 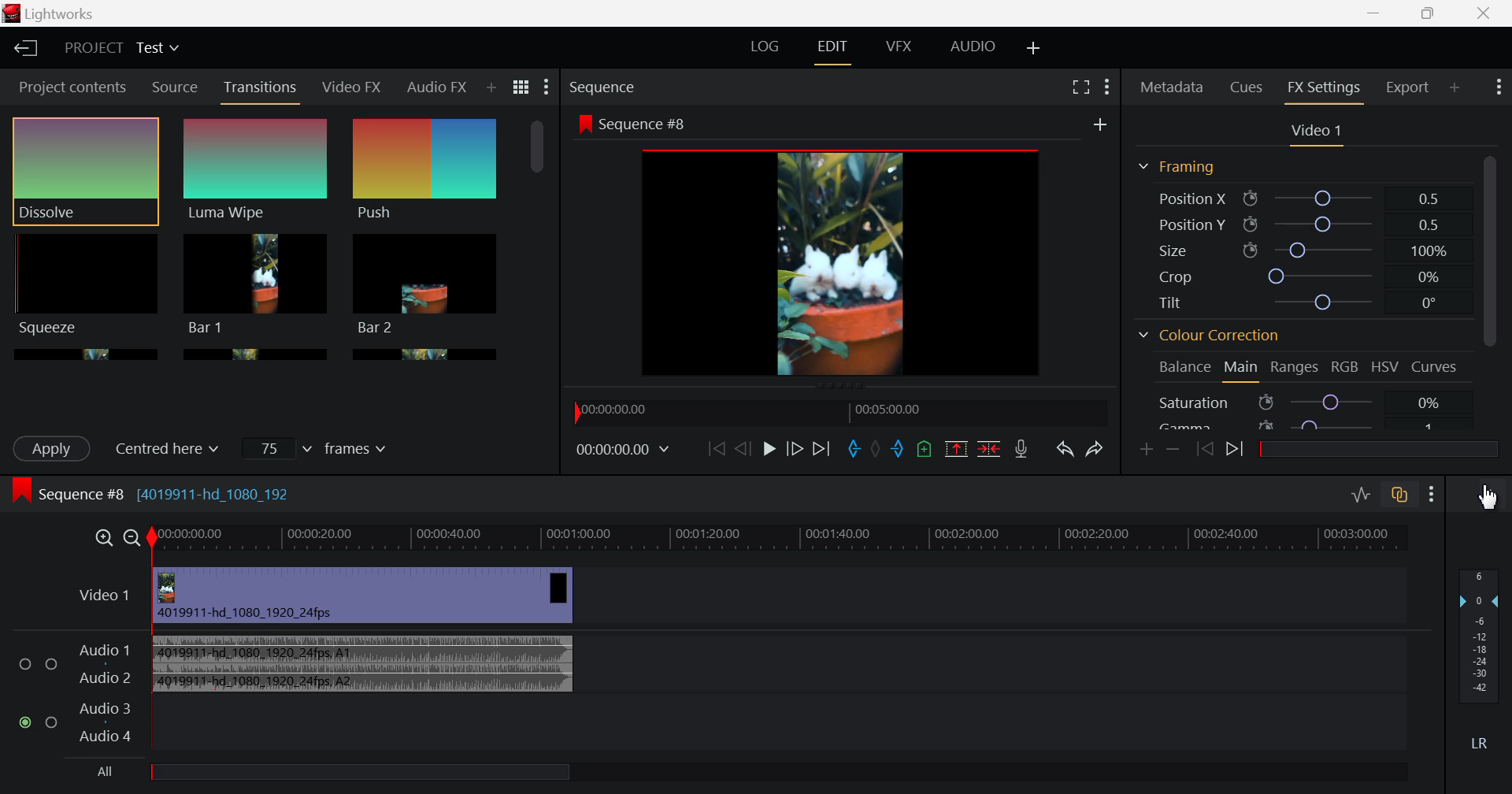 I want to click on To End, so click(x=822, y=451).